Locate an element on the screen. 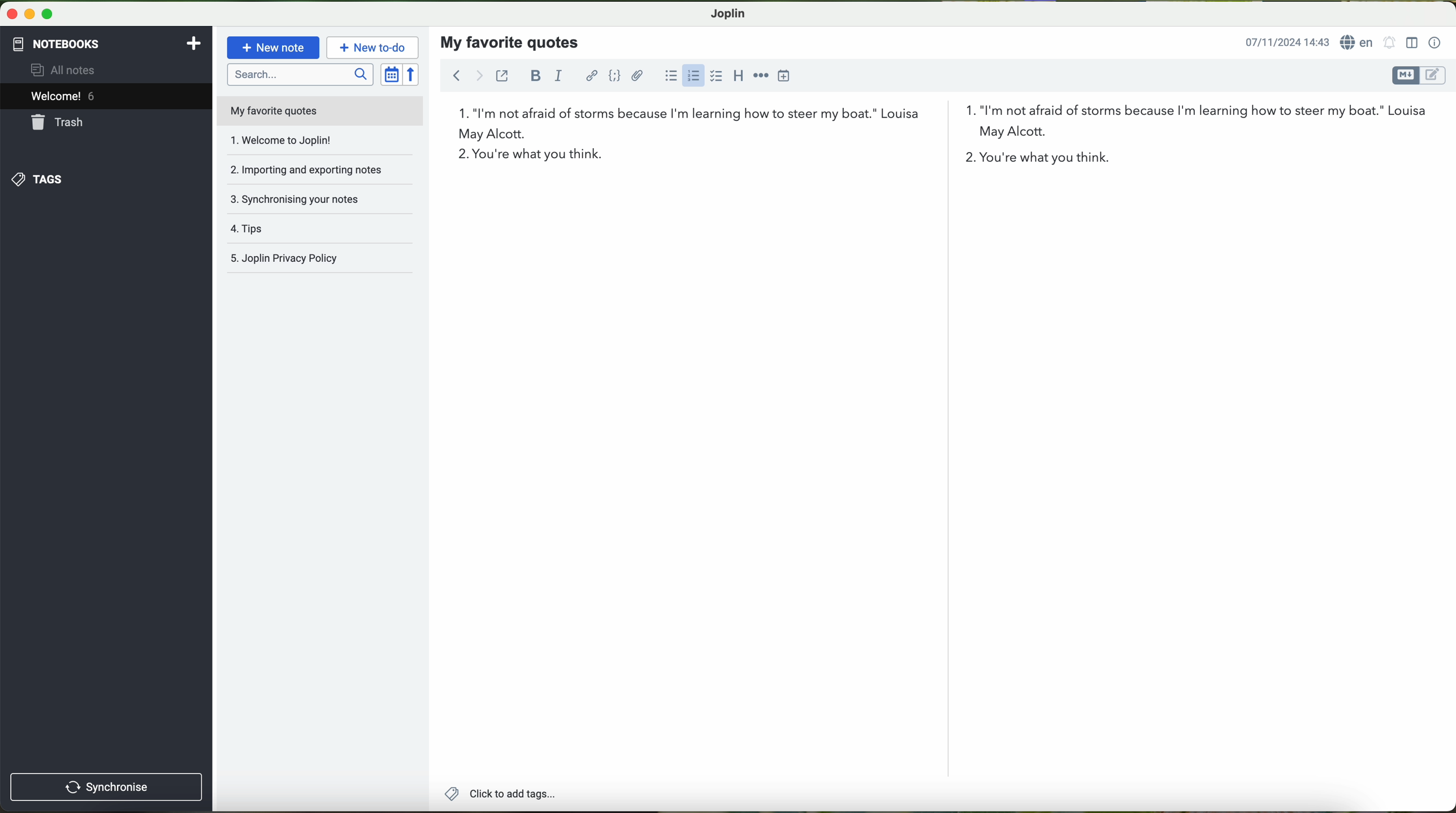 The width and height of the screenshot is (1456, 813). second quote is located at coordinates (782, 156).